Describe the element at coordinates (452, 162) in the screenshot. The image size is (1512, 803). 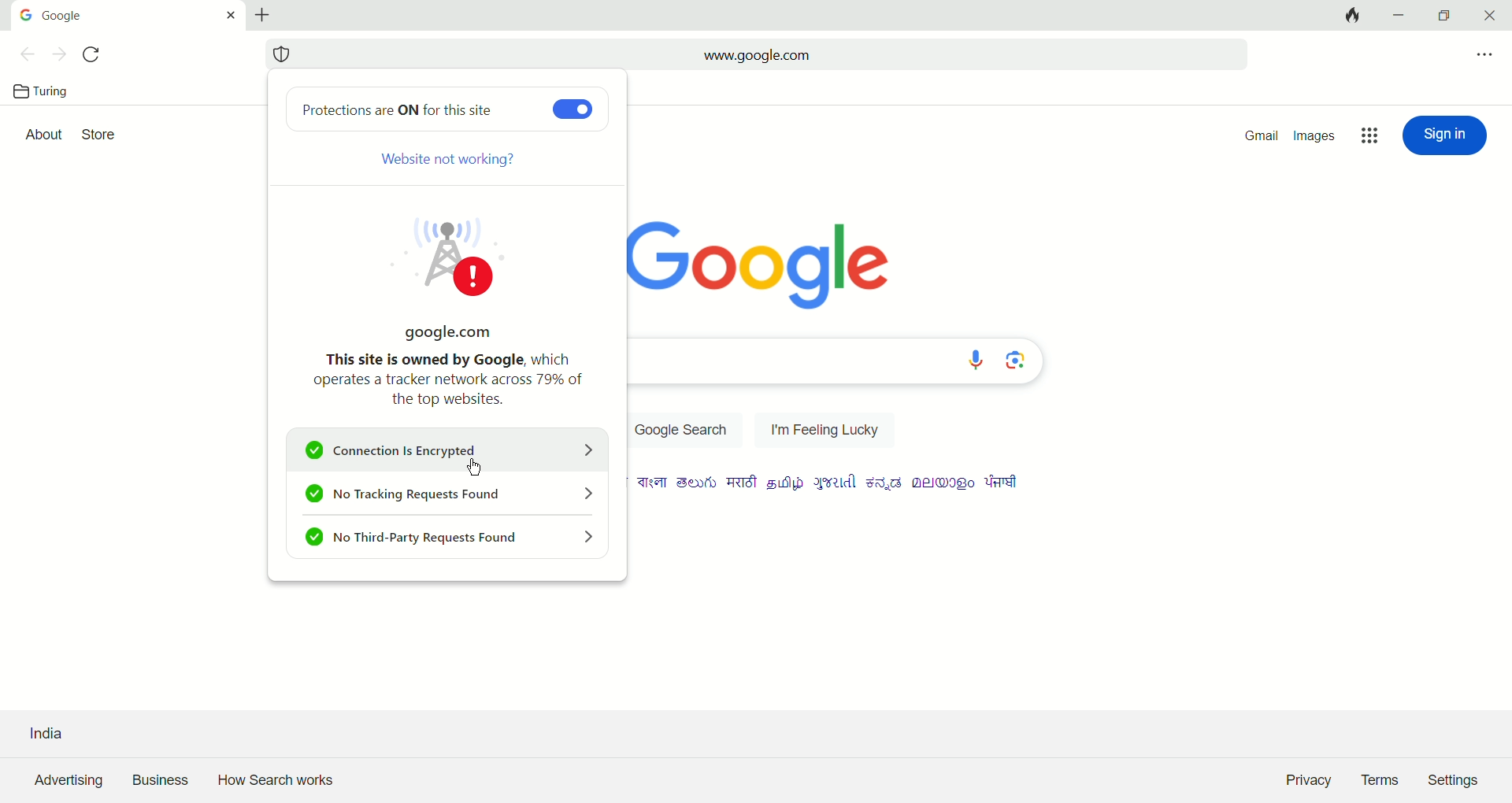
I see `Website not working?` at that location.